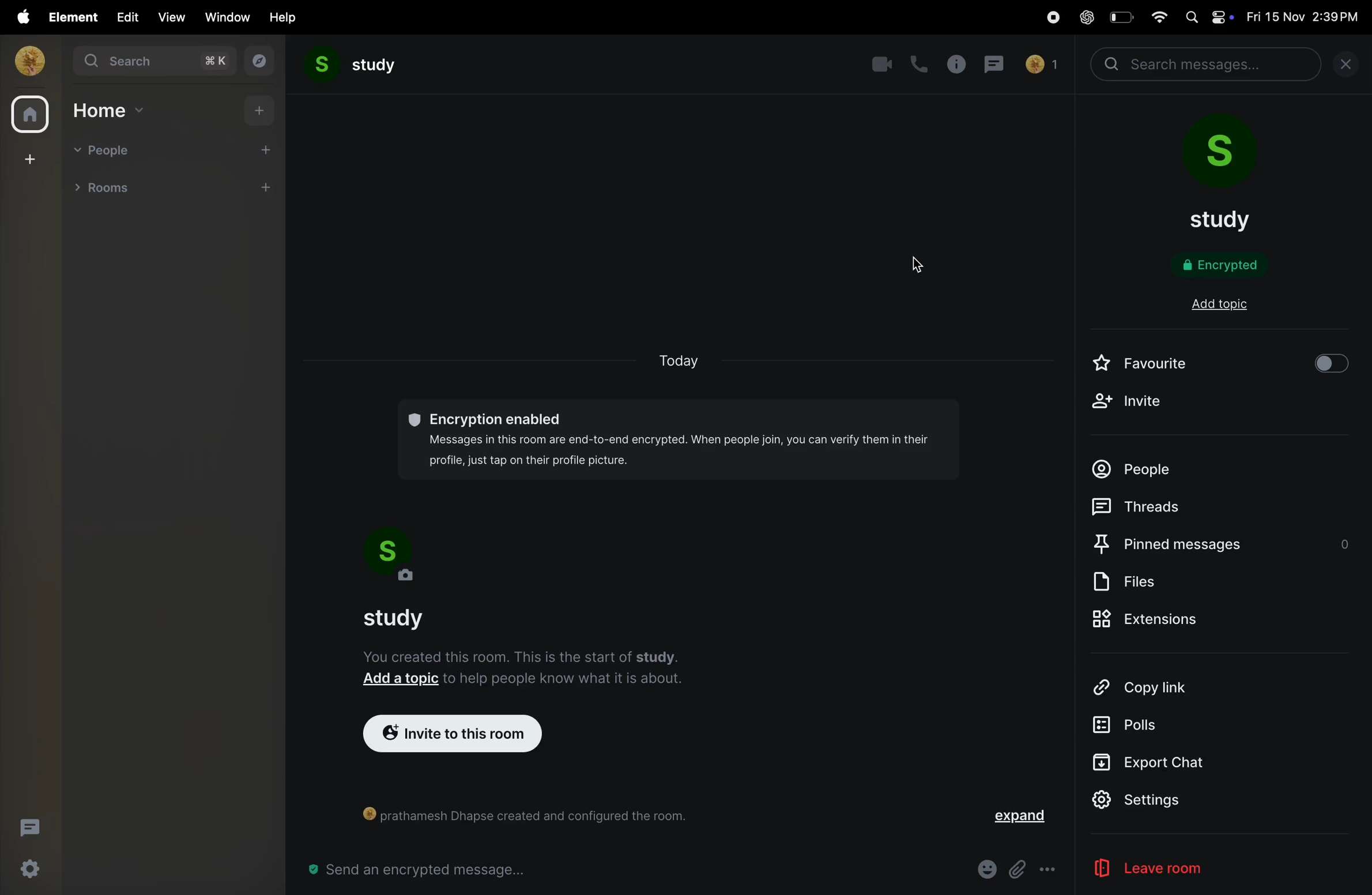 The height and width of the screenshot is (895, 1372). I want to click on chatgpt, so click(1086, 18).